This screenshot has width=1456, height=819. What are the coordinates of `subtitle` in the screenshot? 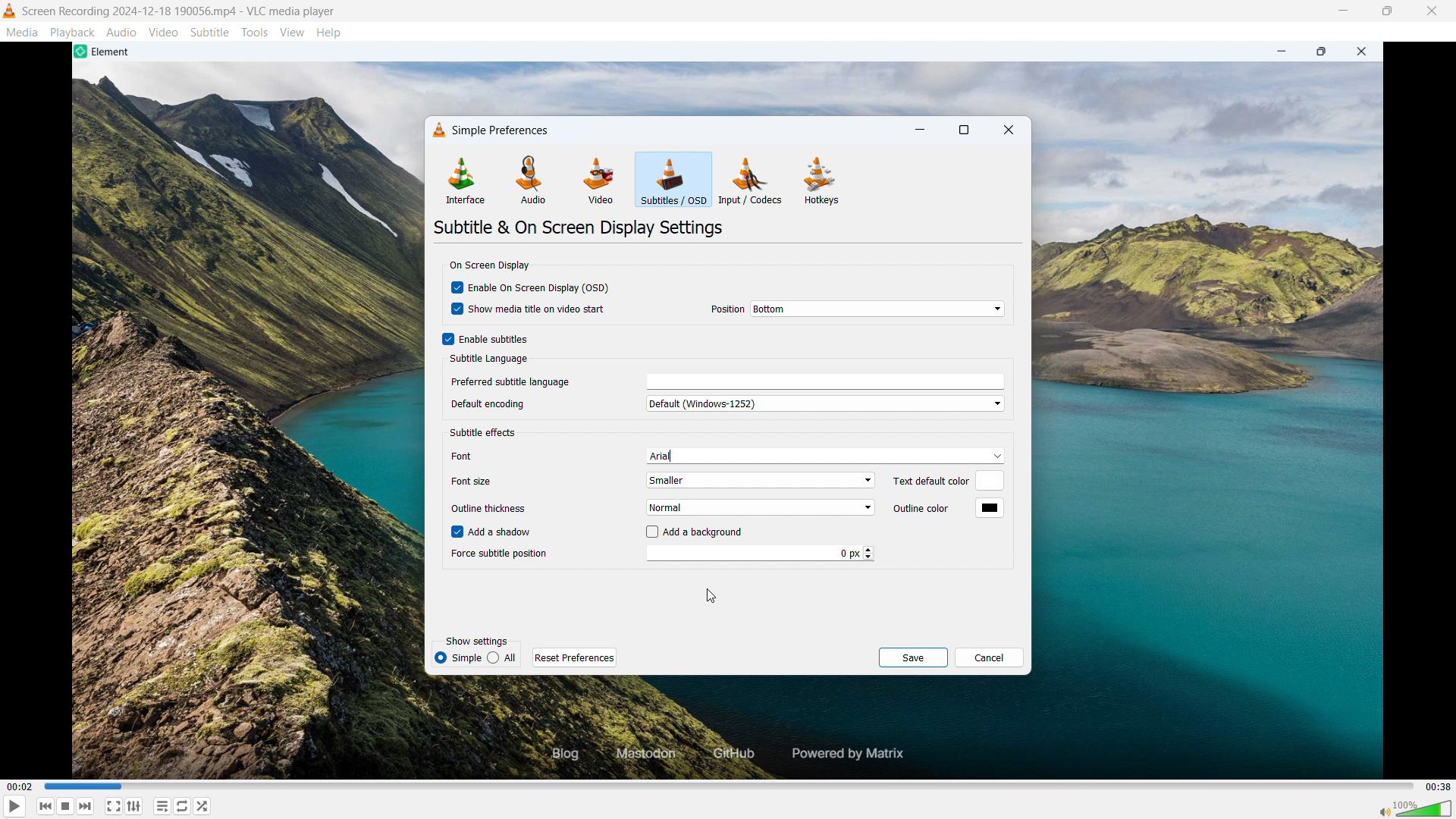 It's located at (210, 32).